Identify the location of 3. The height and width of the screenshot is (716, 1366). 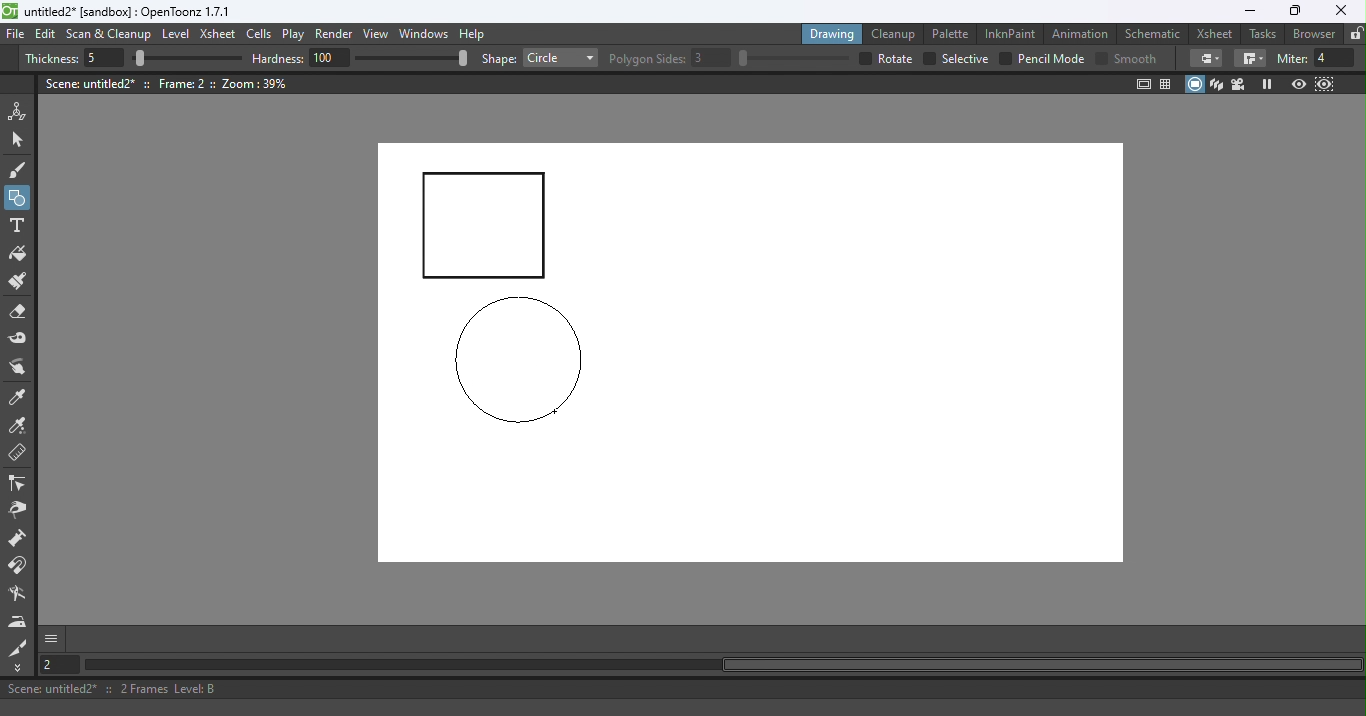
(712, 58).